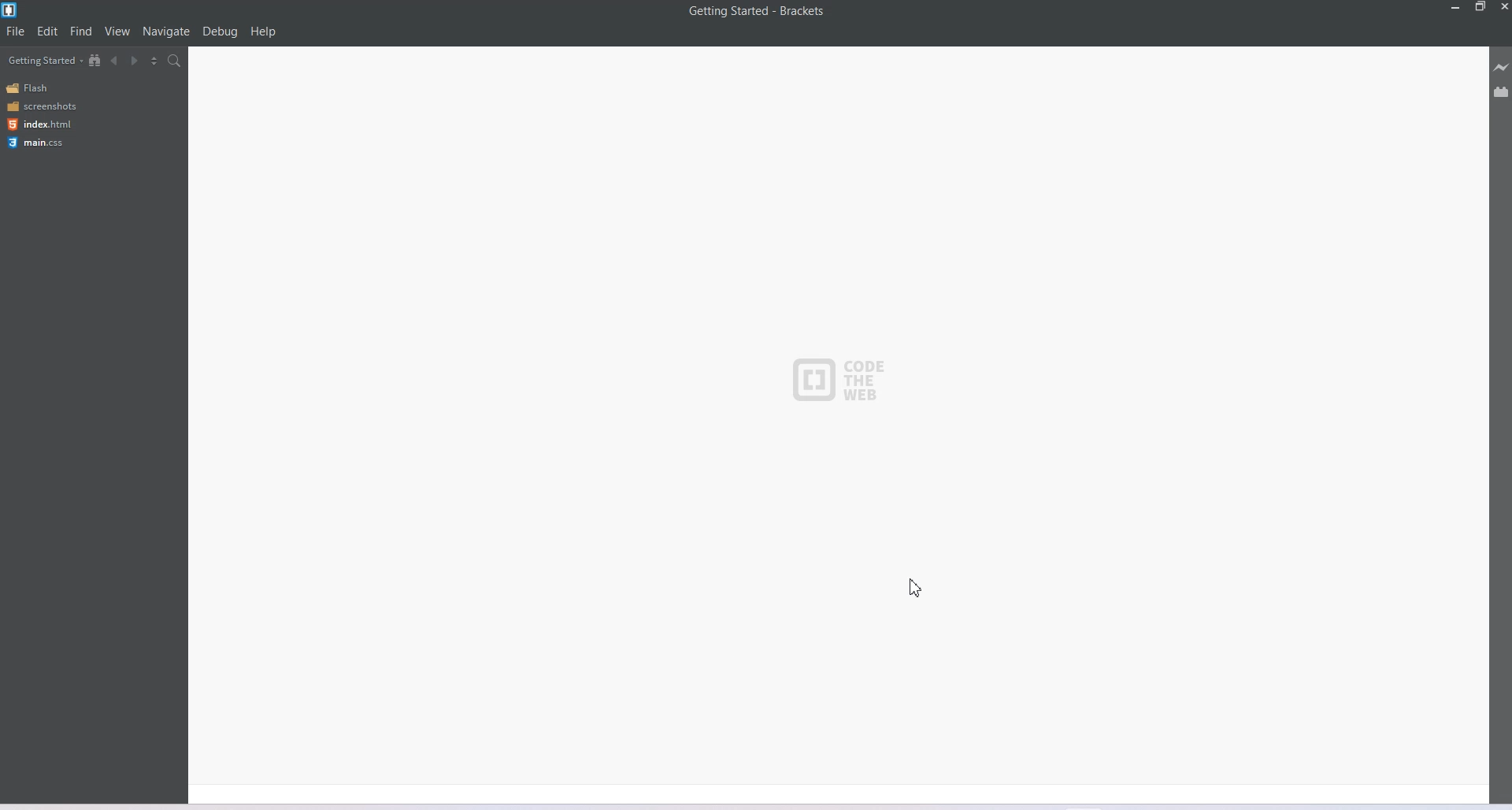 The width and height of the screenshot is (1512, 810). Describe the element at coordinates (847, 383) in the screenshot. I see `code the web icon` at that location.